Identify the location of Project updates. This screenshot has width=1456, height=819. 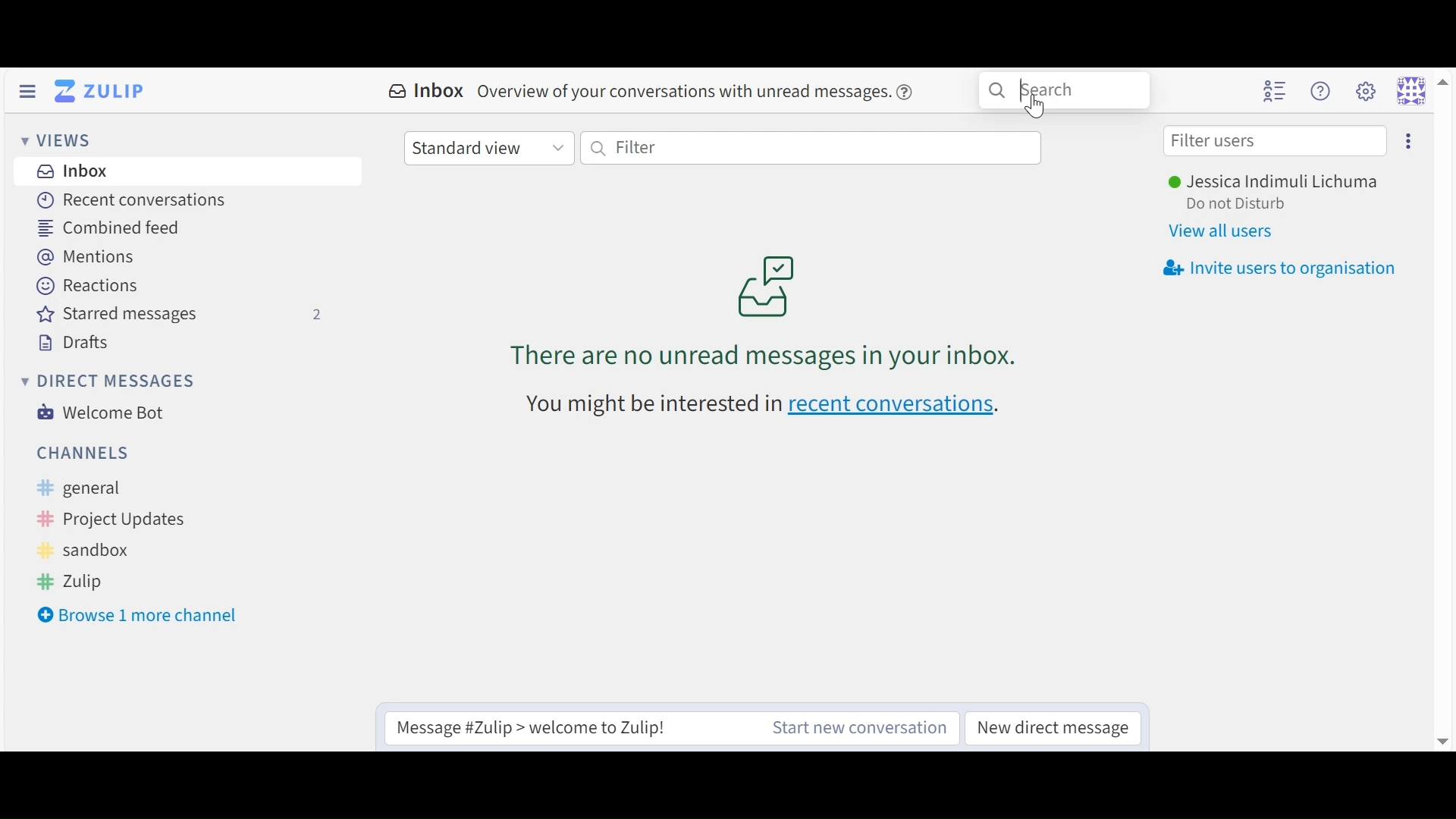
(106, 519).